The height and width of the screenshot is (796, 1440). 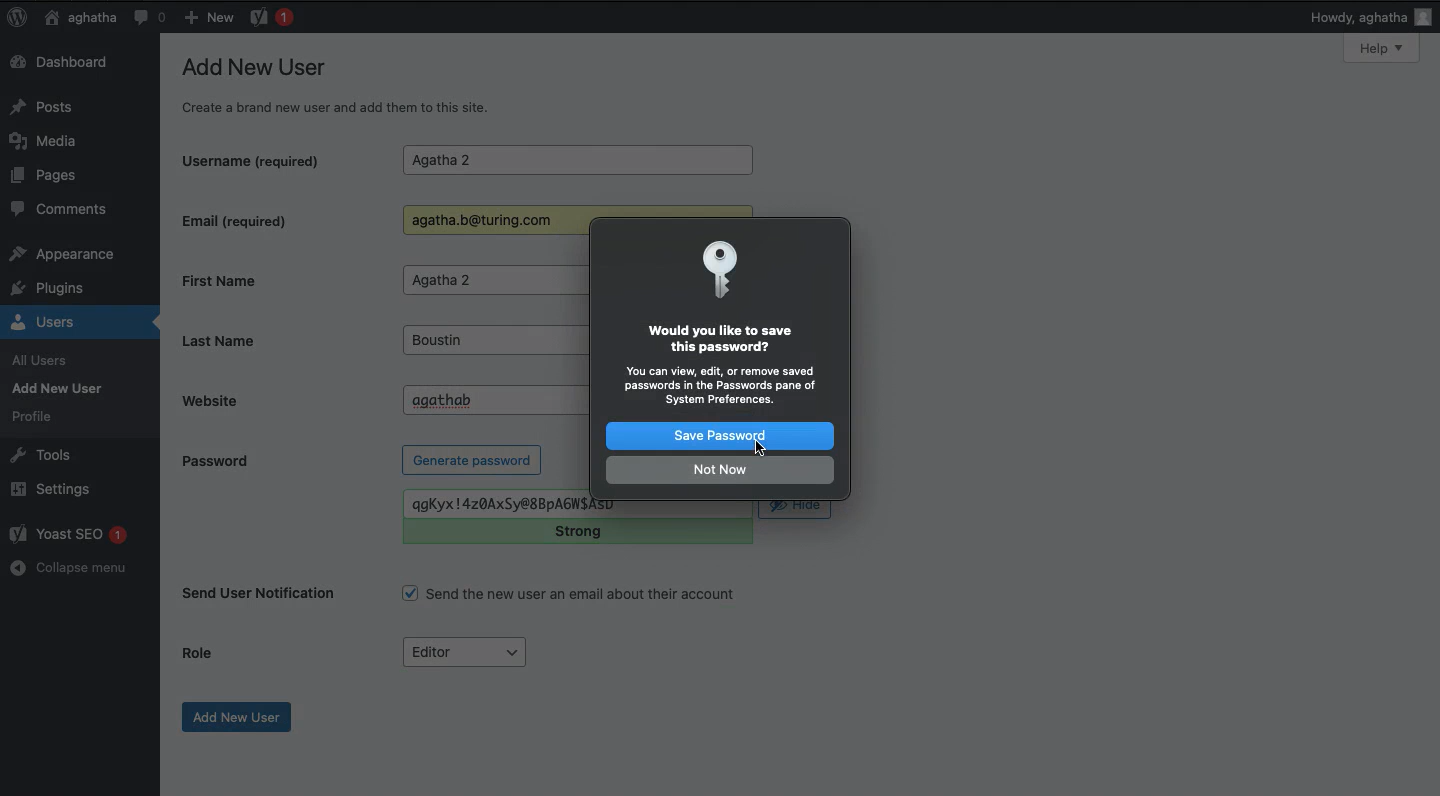 I want to click on Media, so click(x=50, y=141).